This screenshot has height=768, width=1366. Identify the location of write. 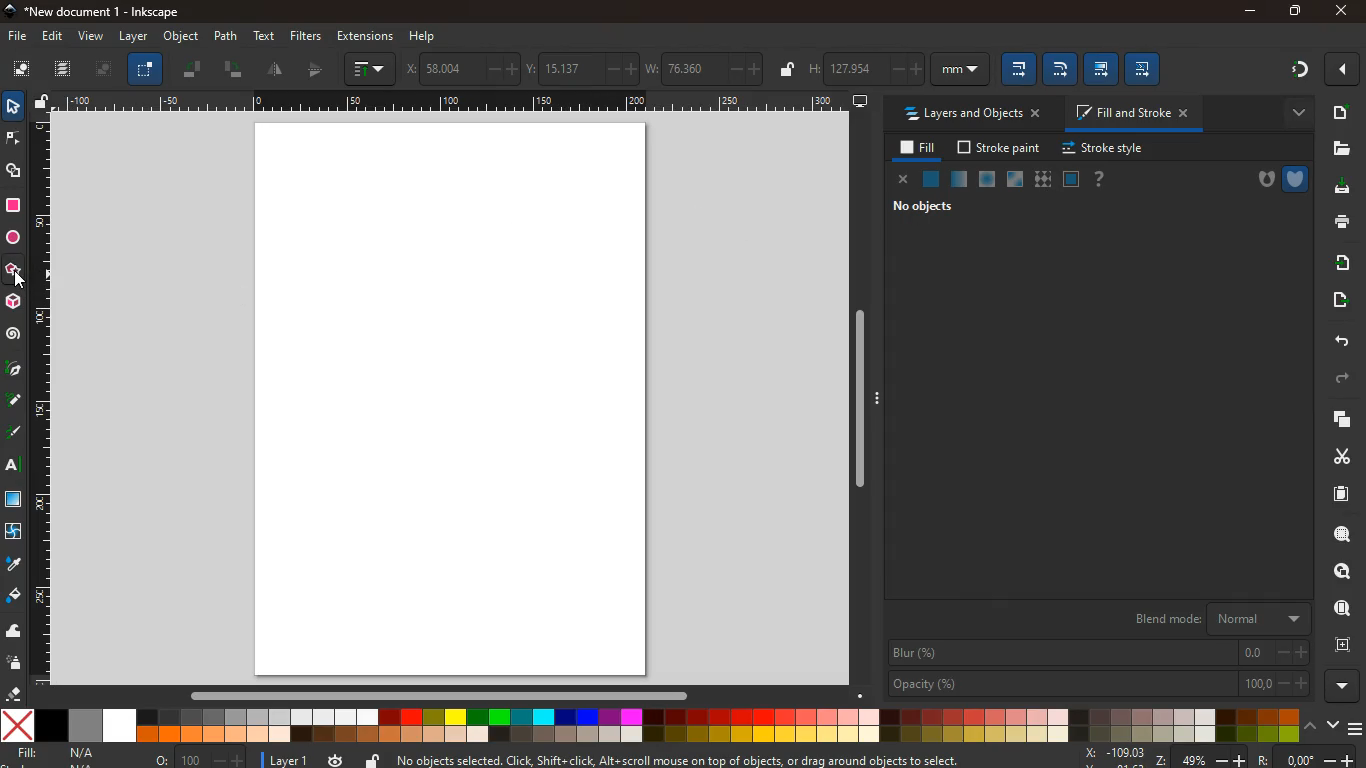
(14, 401).